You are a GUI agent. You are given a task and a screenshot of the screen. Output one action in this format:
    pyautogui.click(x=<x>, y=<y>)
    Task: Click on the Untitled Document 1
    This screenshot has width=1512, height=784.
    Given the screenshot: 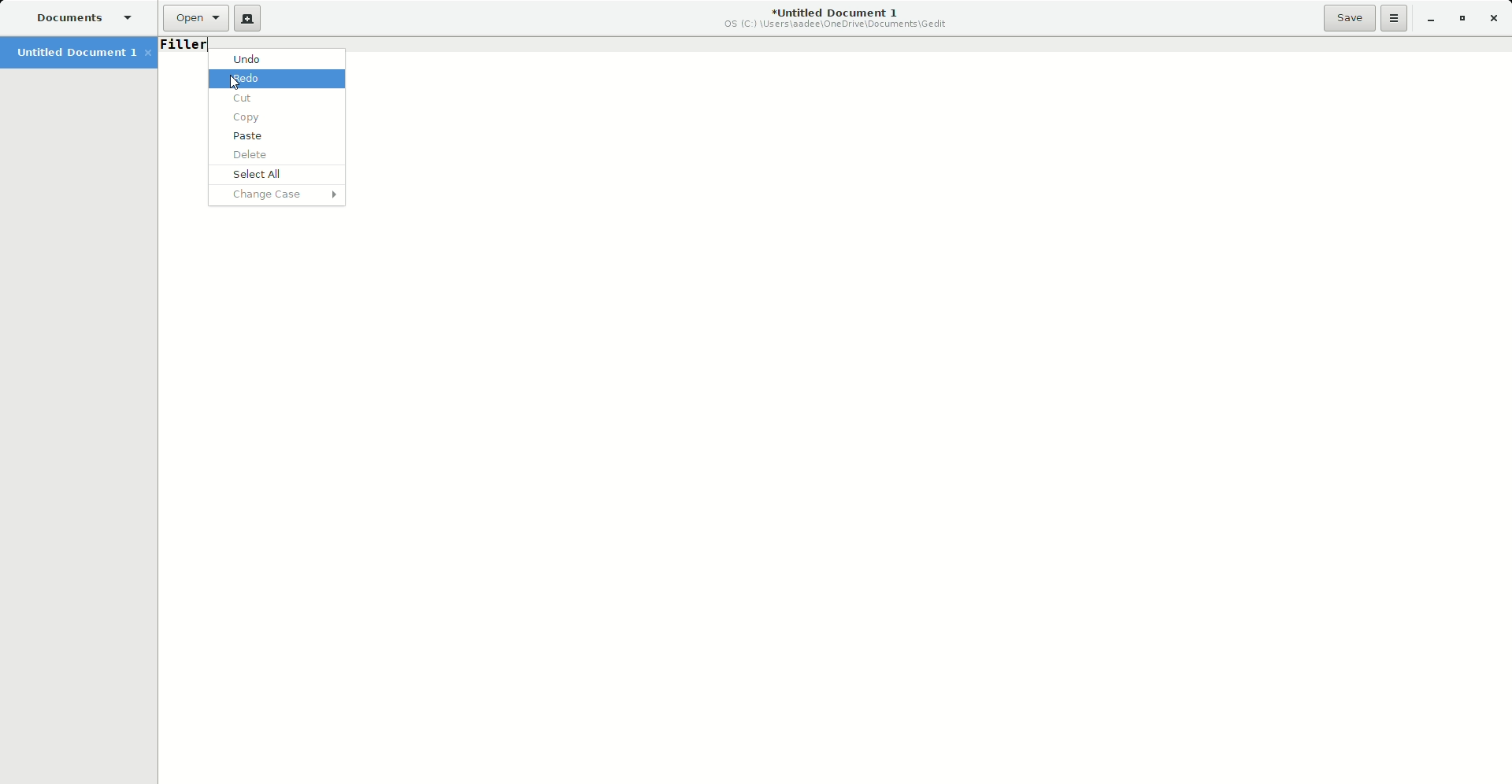 What is the action you would take?
    pyautogui.click(x=832, y=19)
    